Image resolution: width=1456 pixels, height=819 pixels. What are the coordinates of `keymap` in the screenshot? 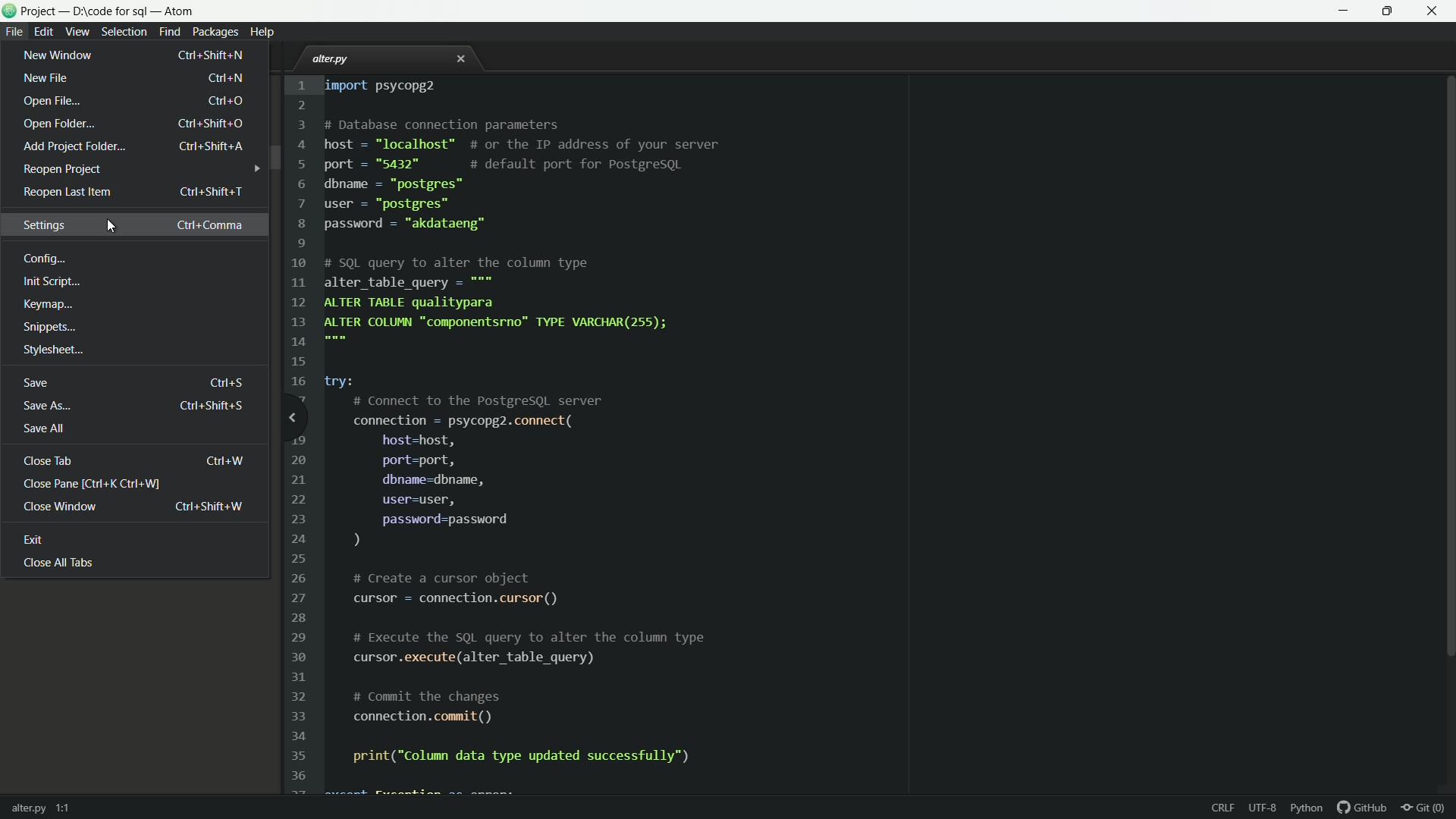 It's located at (49, 305).